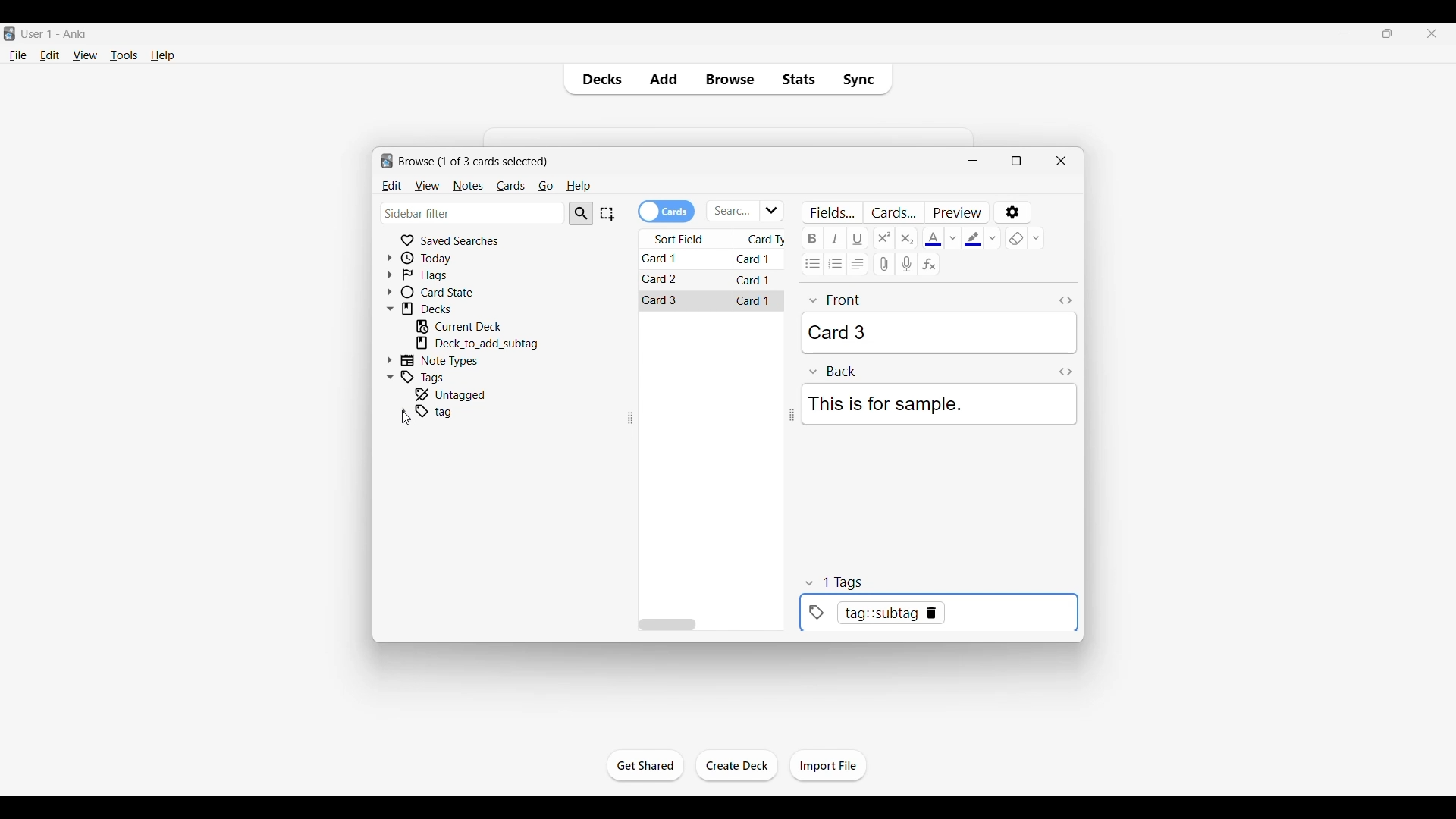  What do you see at coordinates (449, 291) in the screenshot?
I see `Click to go to card state` at bounding box center [449, 291].